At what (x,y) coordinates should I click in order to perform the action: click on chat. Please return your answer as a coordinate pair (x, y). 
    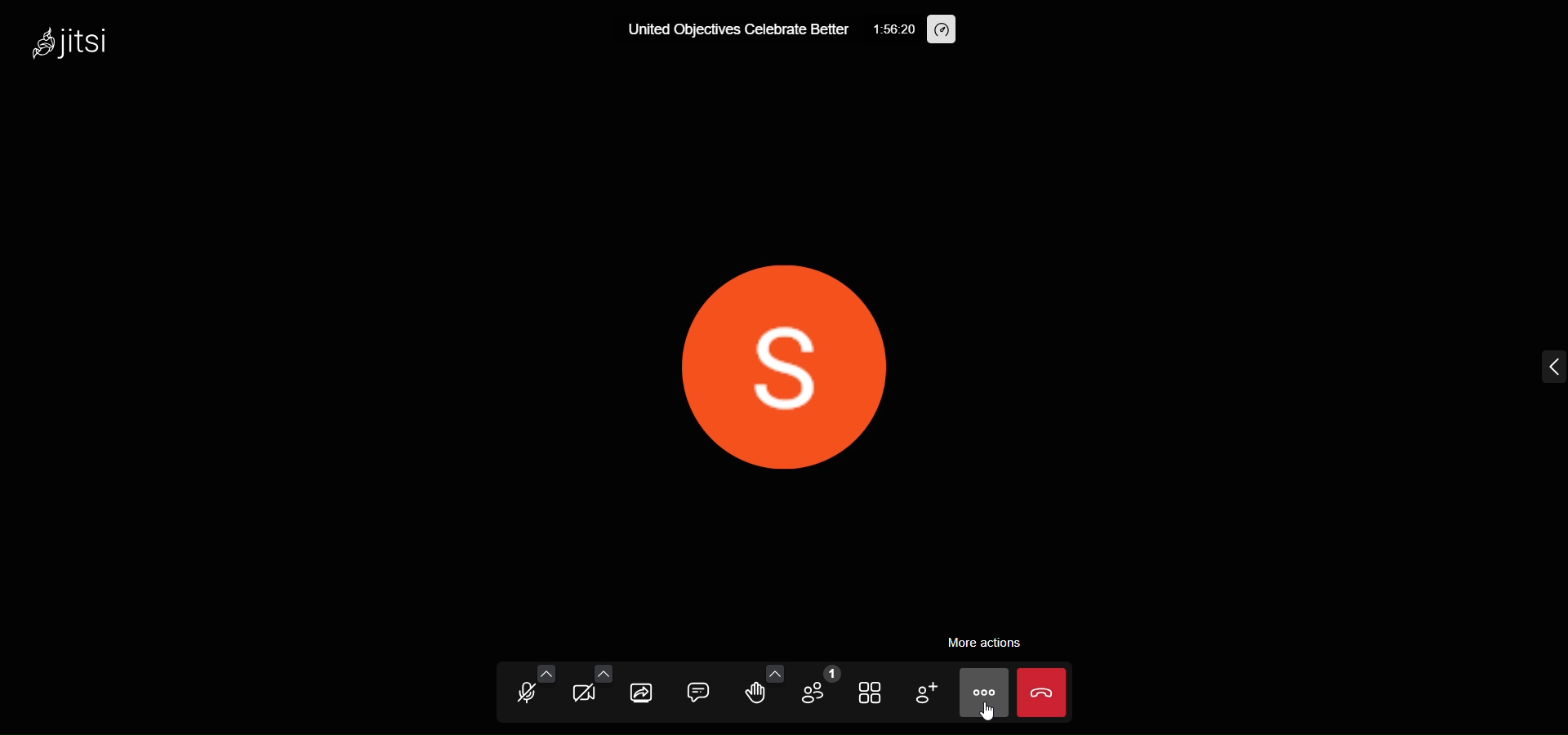
    Looking at the image, I should click on (699, 693).